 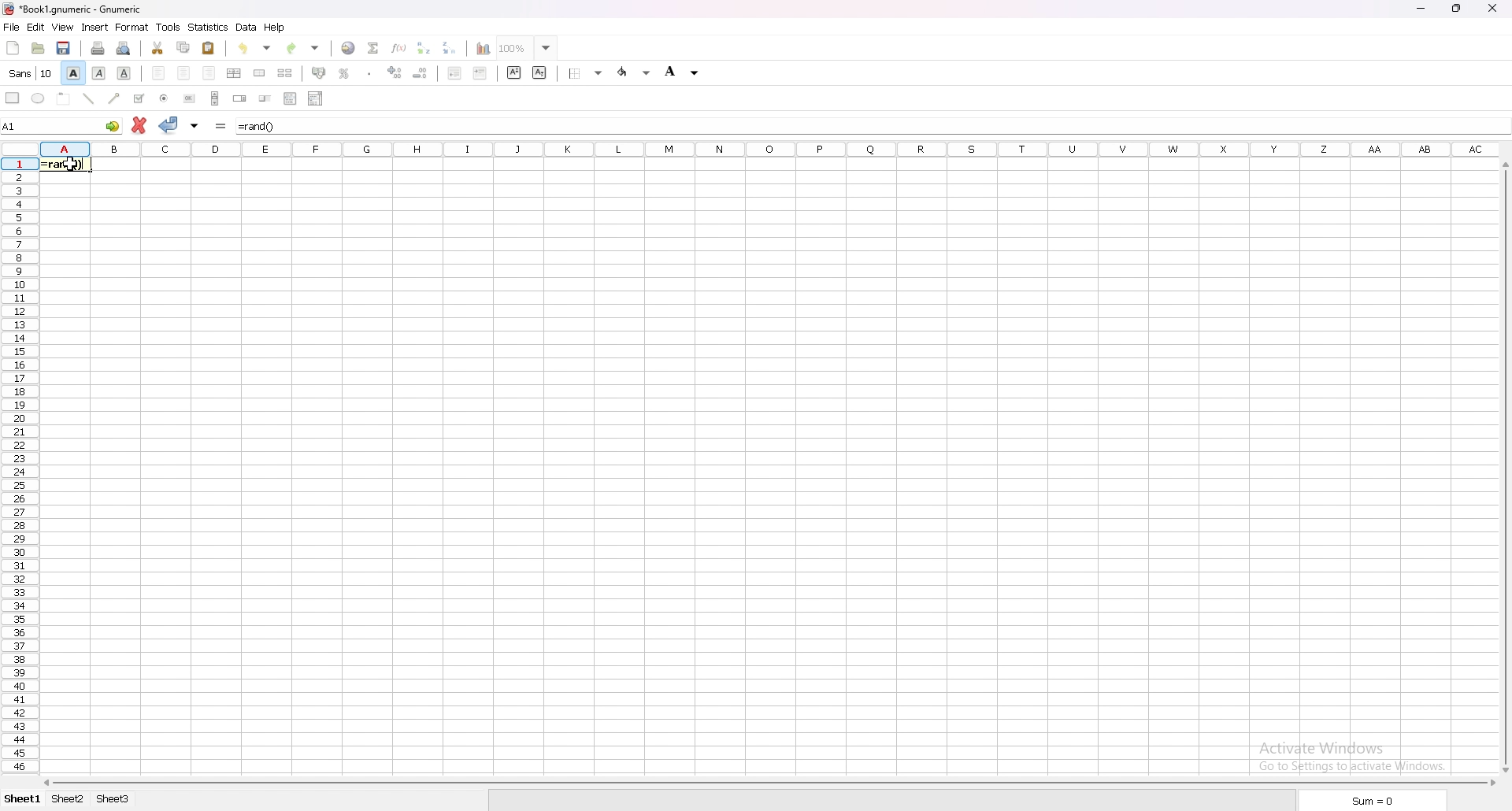 I want to click on decrease decimal, so click(x=421, y=73).